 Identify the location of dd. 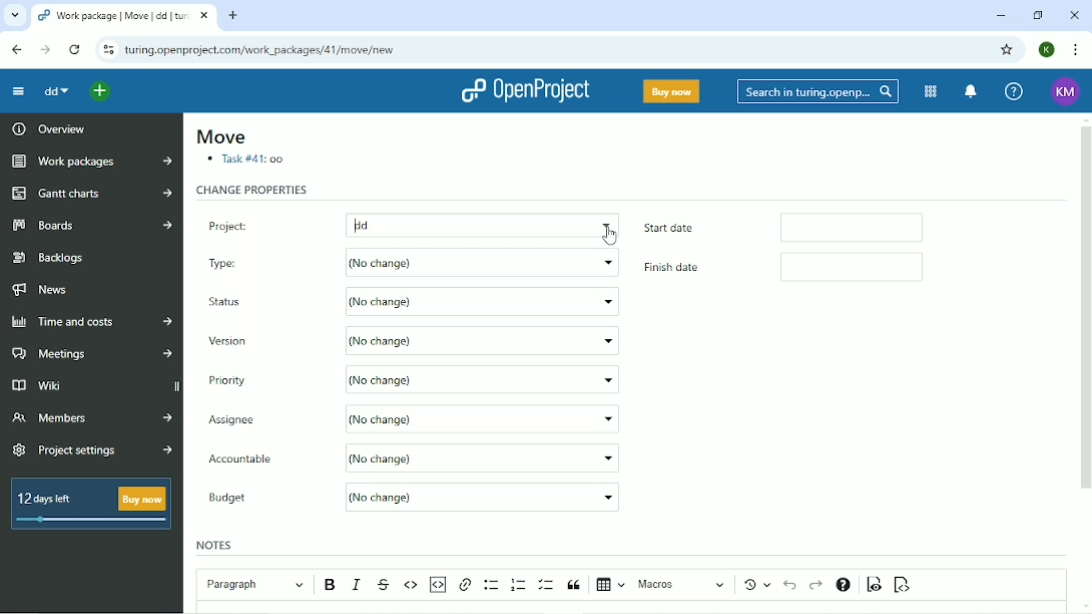
(483, 224).